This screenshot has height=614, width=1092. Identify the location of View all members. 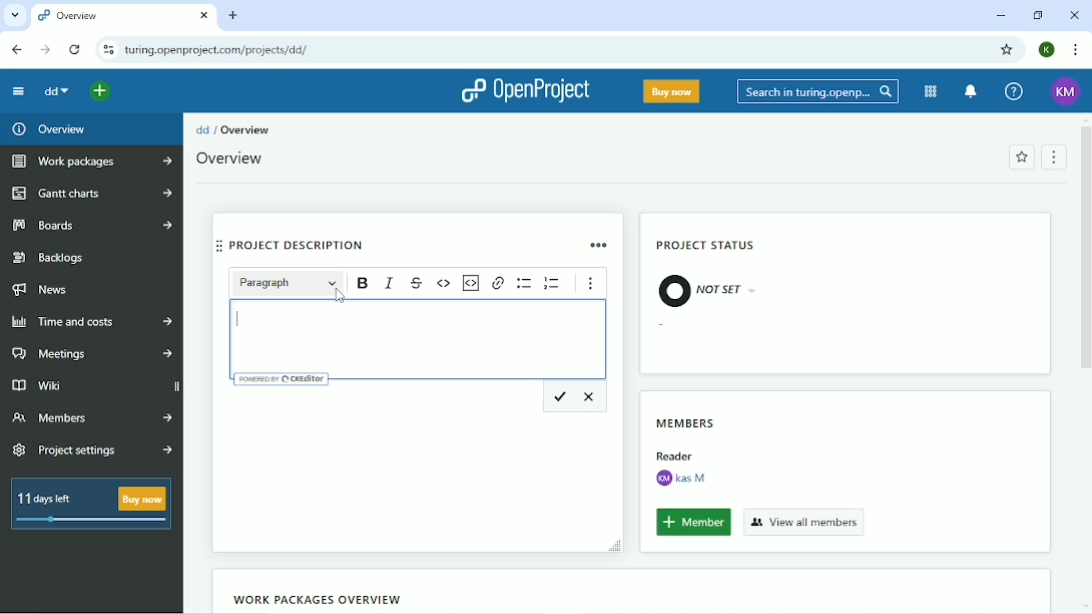
(805, 521).